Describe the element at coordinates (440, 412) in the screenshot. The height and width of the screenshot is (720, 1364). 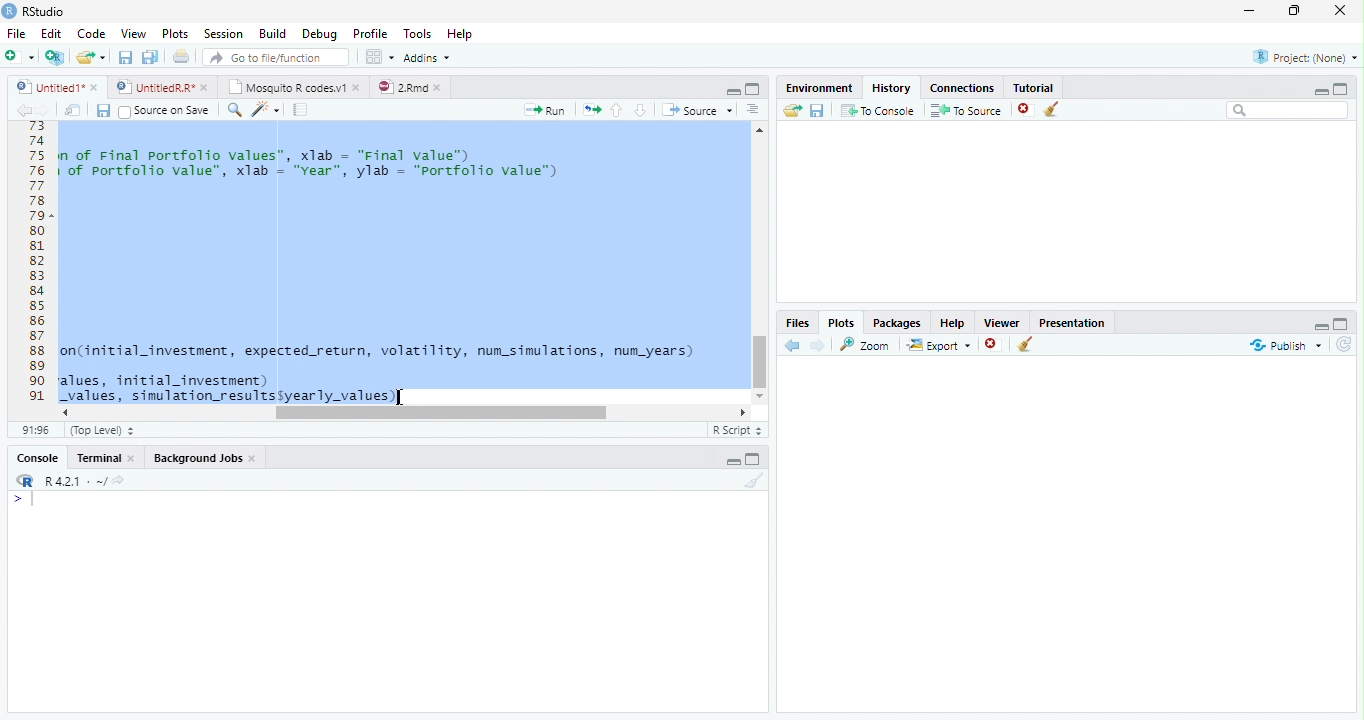
I see `Scroll bar` at that location.